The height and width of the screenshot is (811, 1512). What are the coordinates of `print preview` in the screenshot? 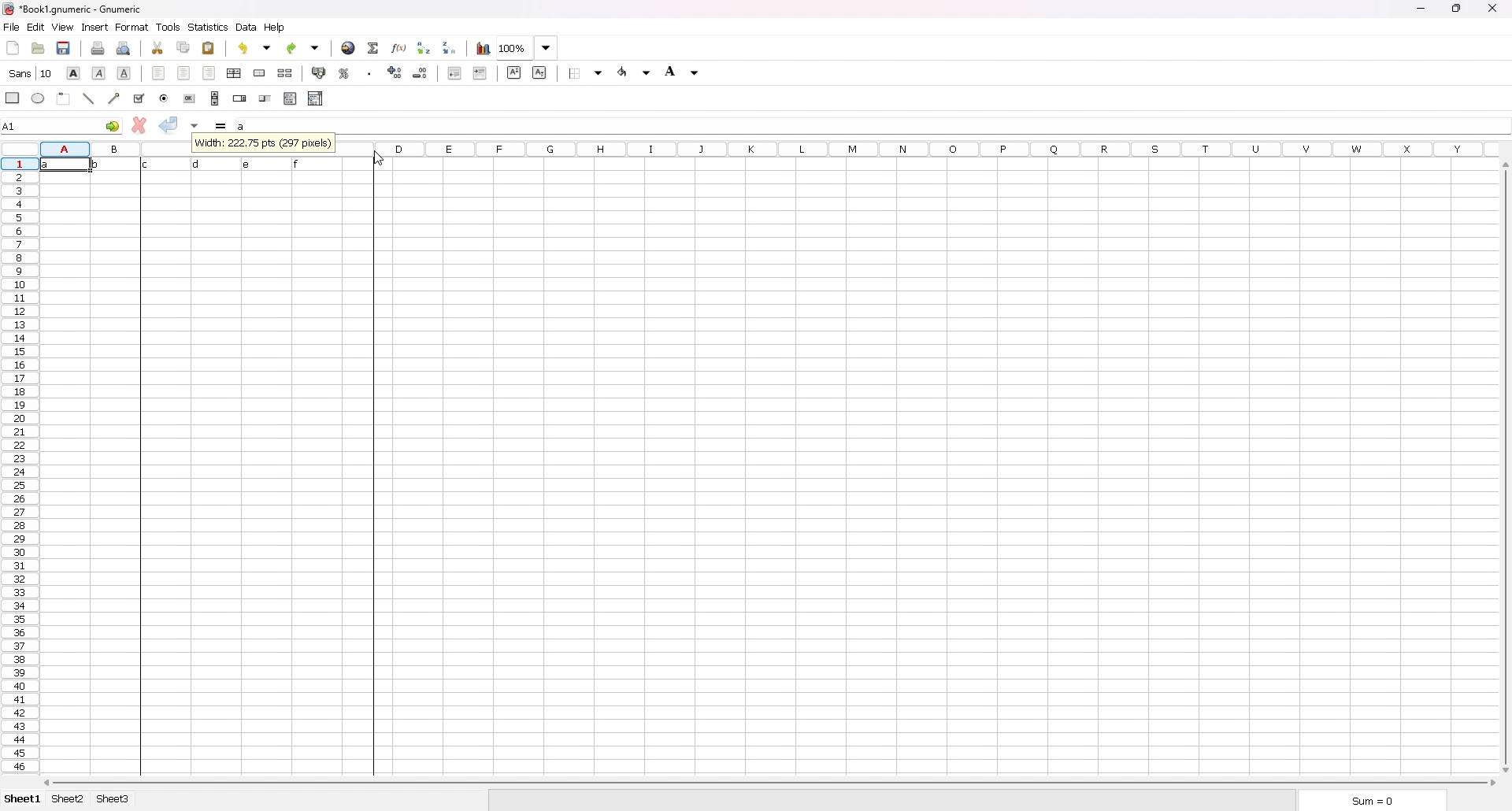 It's located at (123, 48).